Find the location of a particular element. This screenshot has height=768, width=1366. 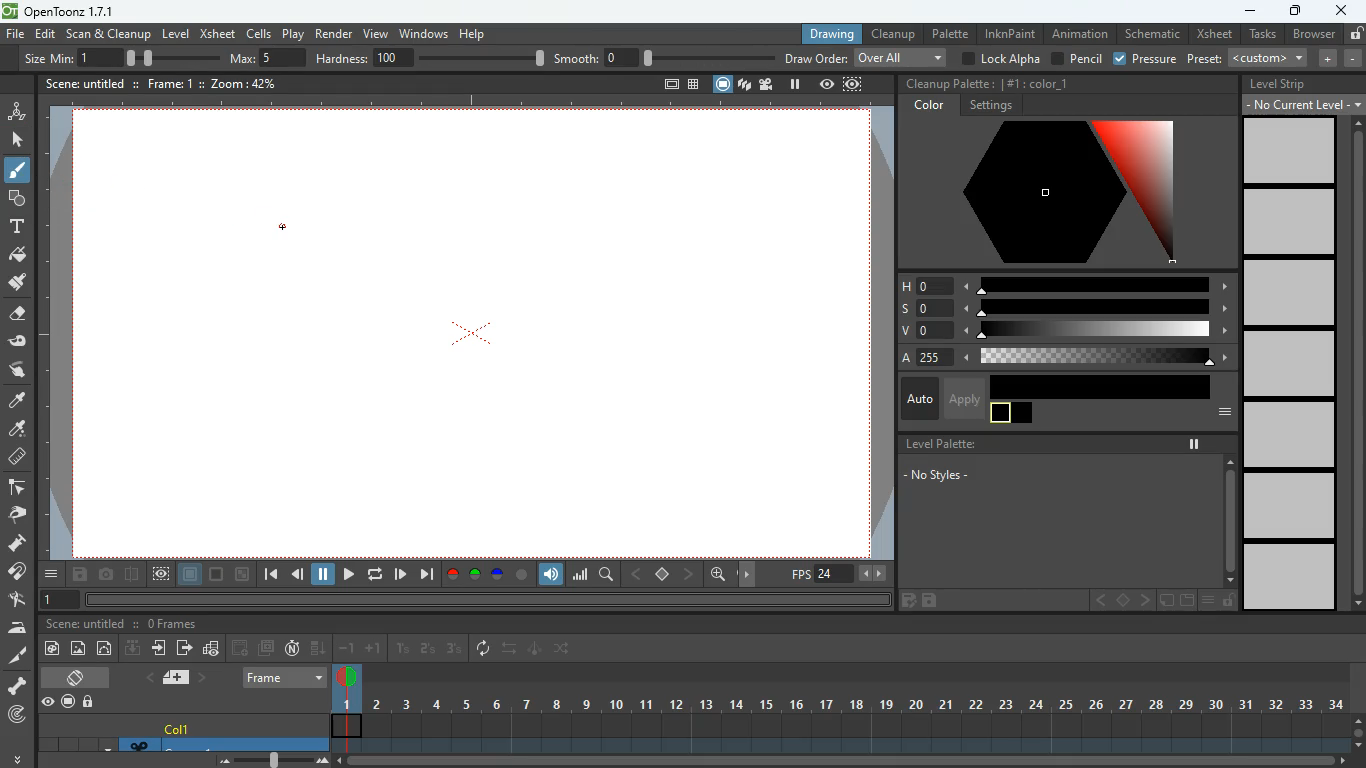

camera is located at coordinates (108, 575).